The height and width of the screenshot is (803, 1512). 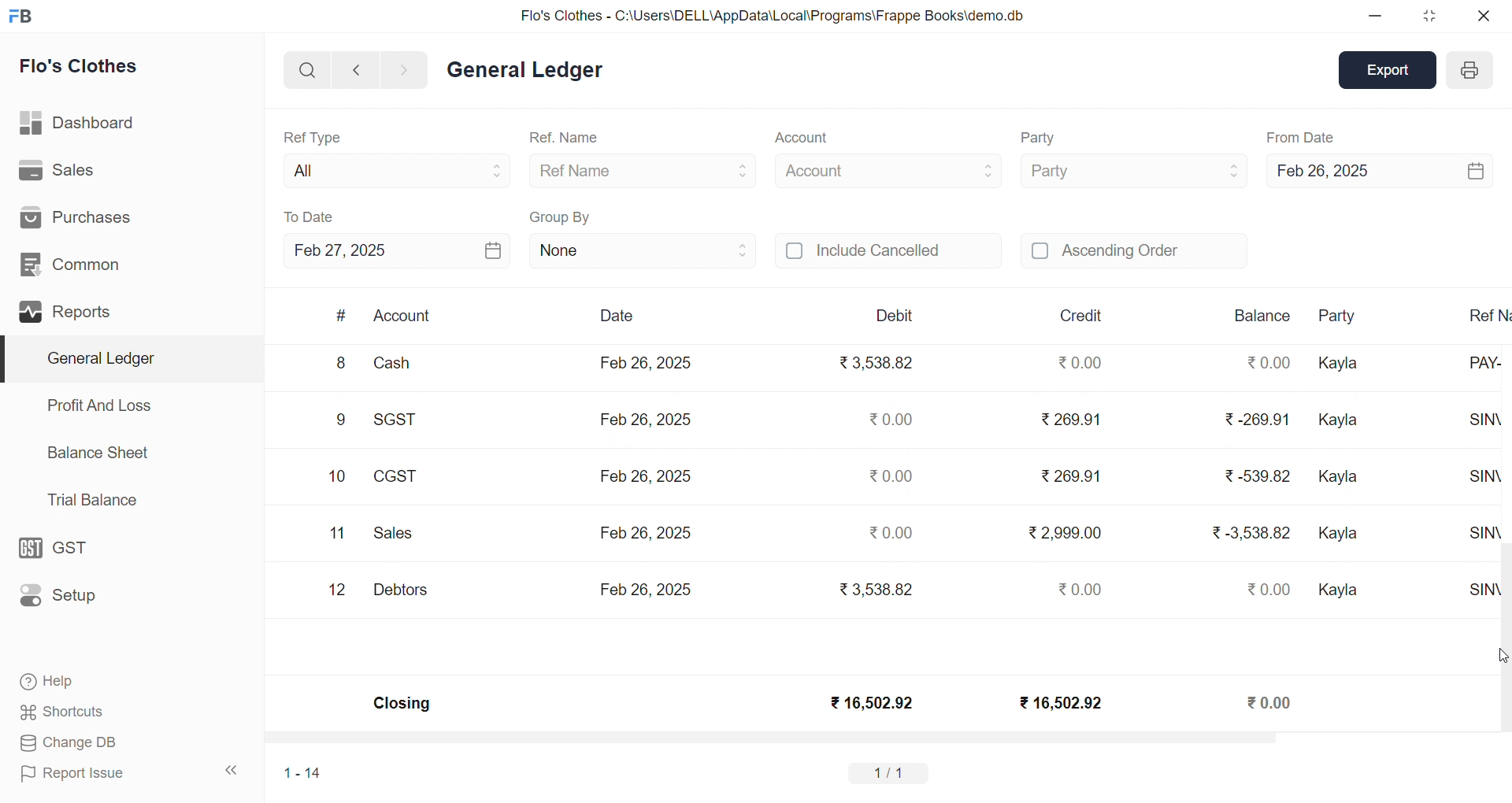 I want to click on SINV-, so click(x=1475, y=426).